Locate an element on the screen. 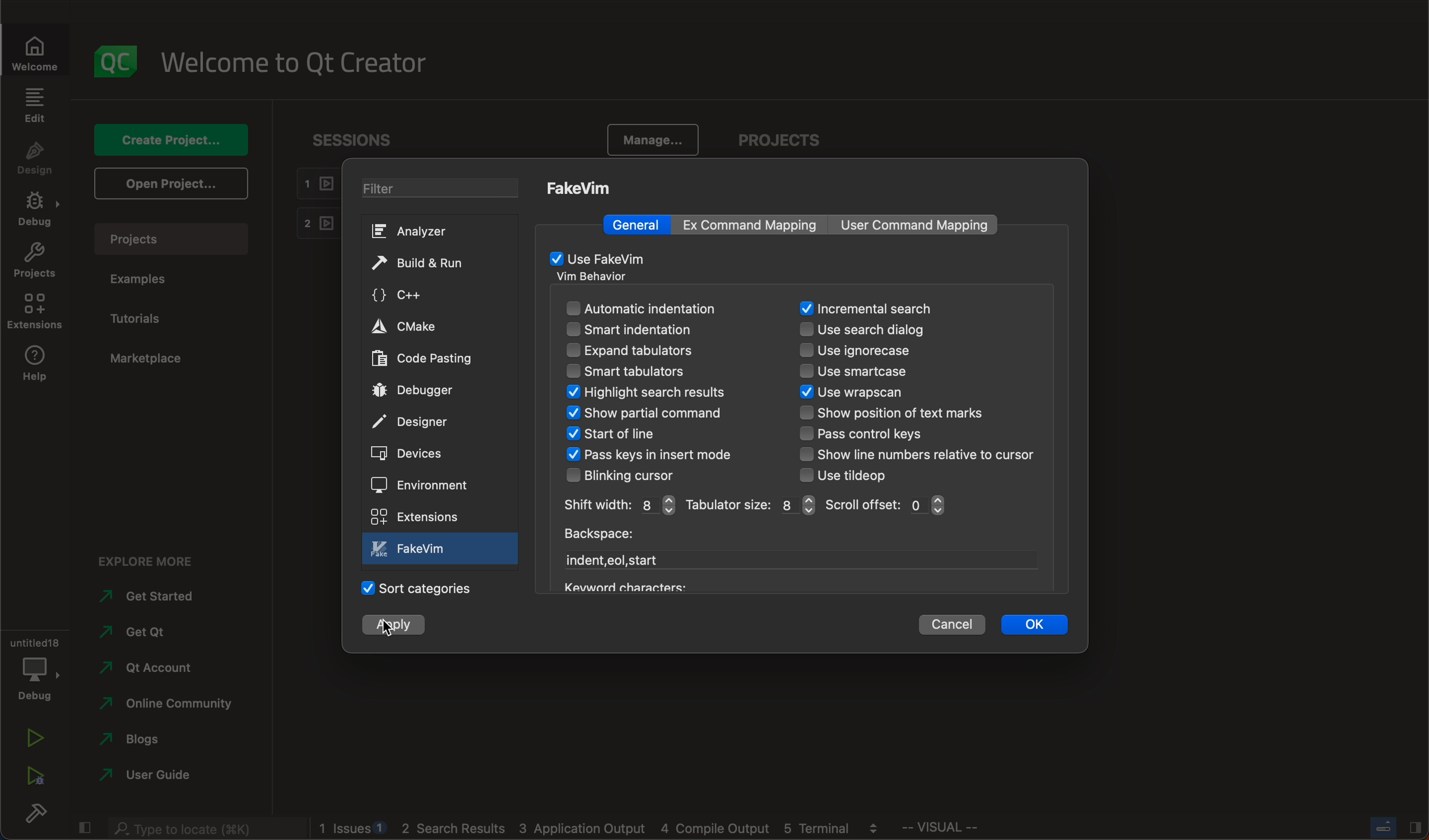 Image resolution: width=1429 pixels, height=840 pixels. general is located at coordinates (640, 224).